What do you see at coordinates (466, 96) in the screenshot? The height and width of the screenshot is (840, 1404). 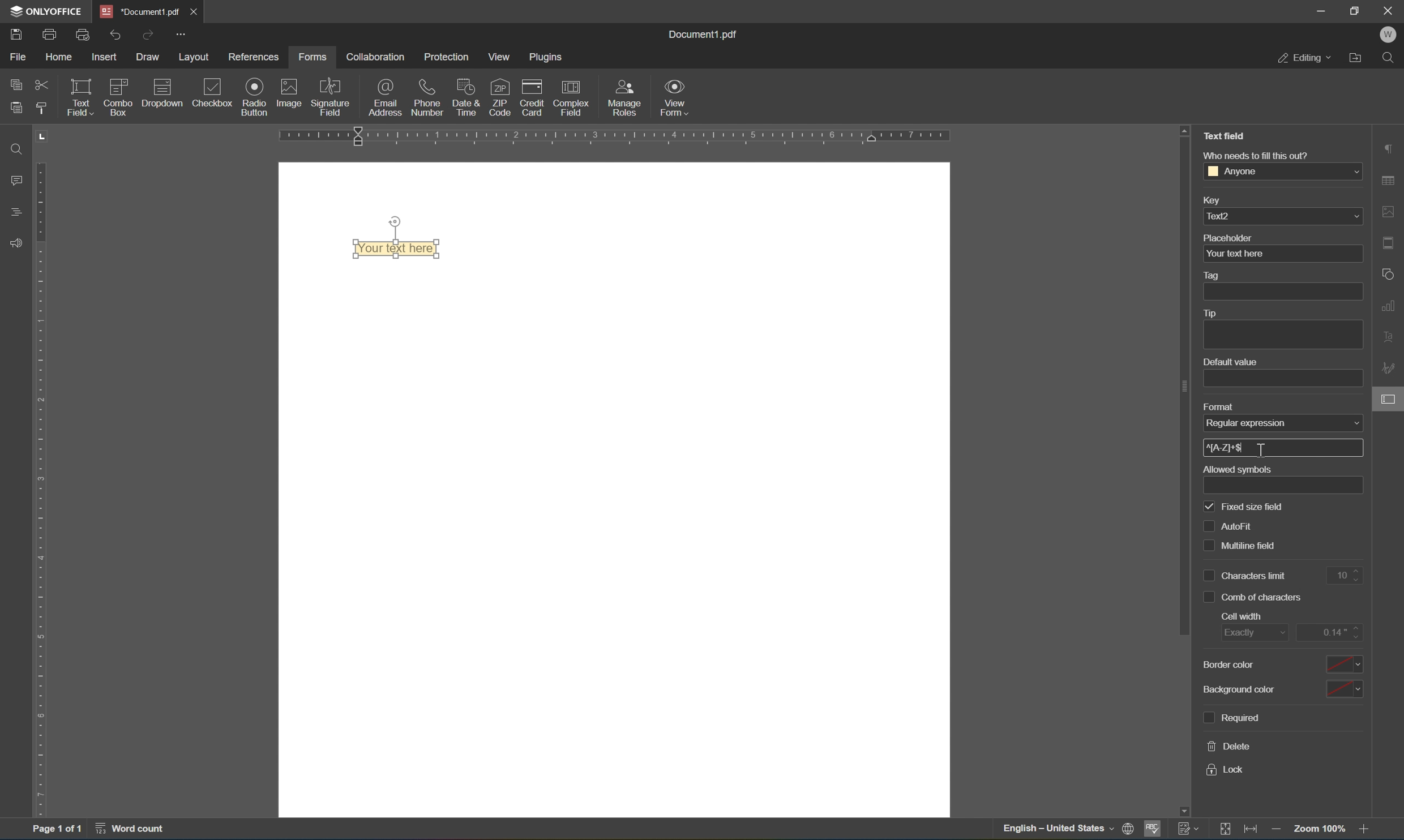 I see `date & time` at bounding box center [466, 96].